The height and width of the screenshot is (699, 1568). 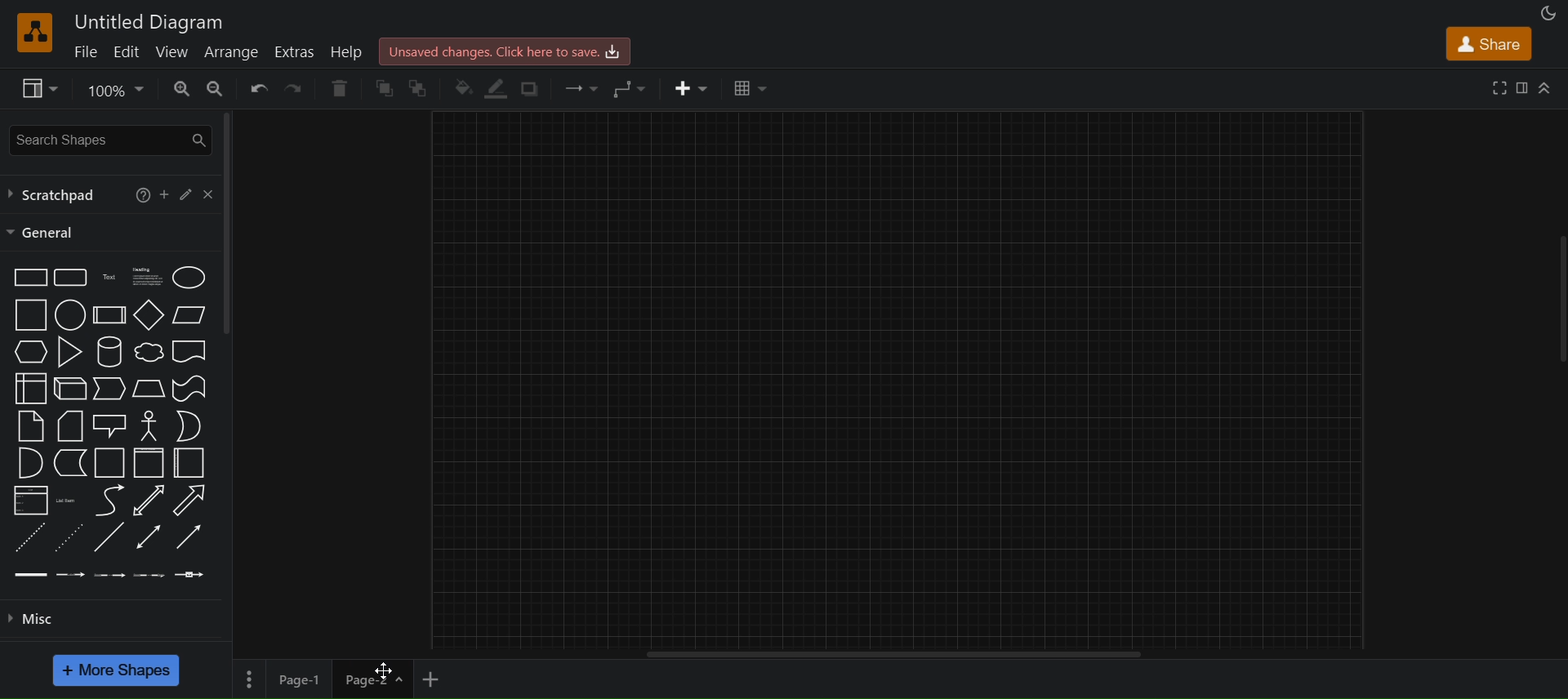 I want to click on bidirectional arrow, so click(x=149, y=501).